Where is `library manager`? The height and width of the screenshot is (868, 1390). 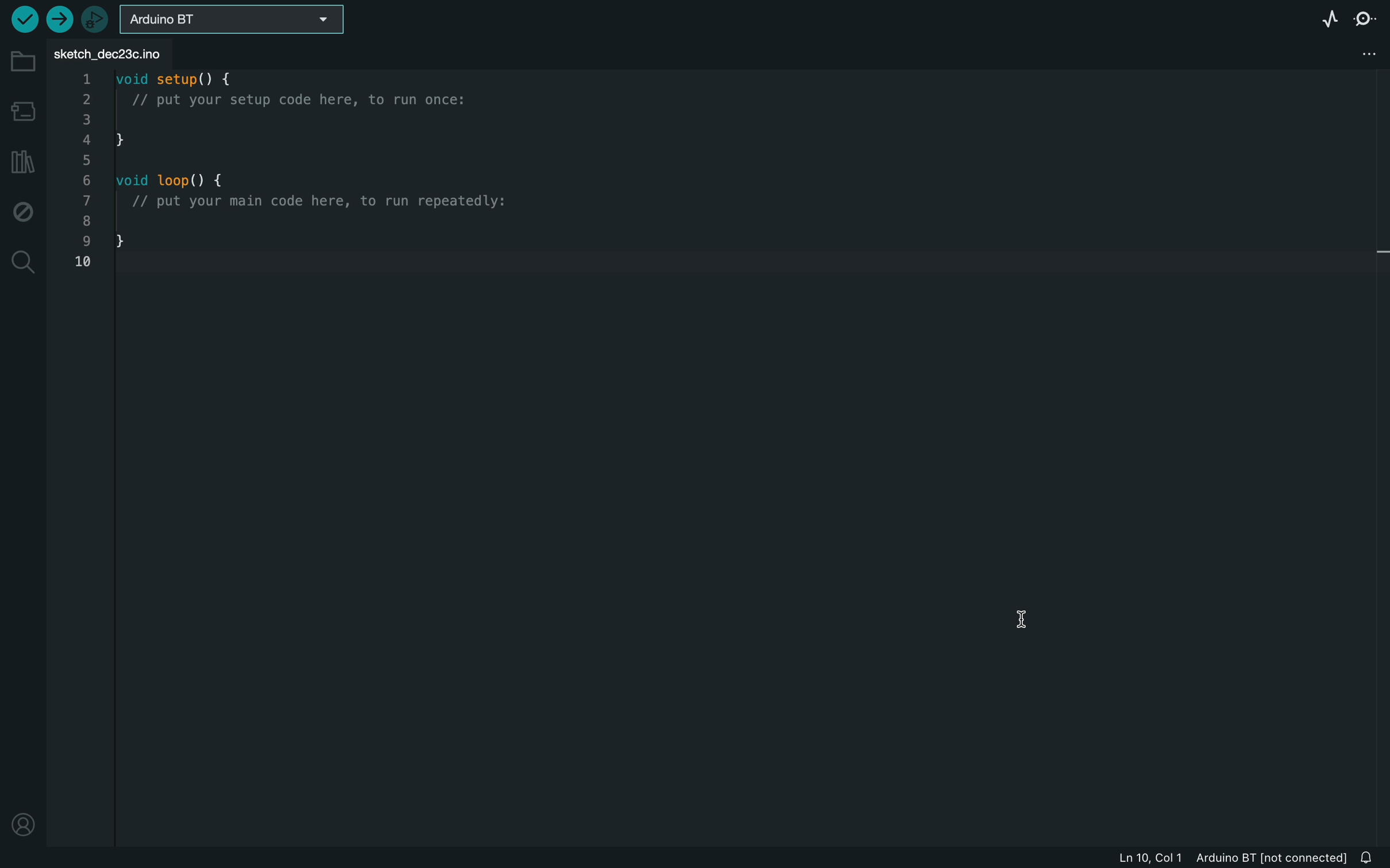 library manager is located at coordinates (23, 162).